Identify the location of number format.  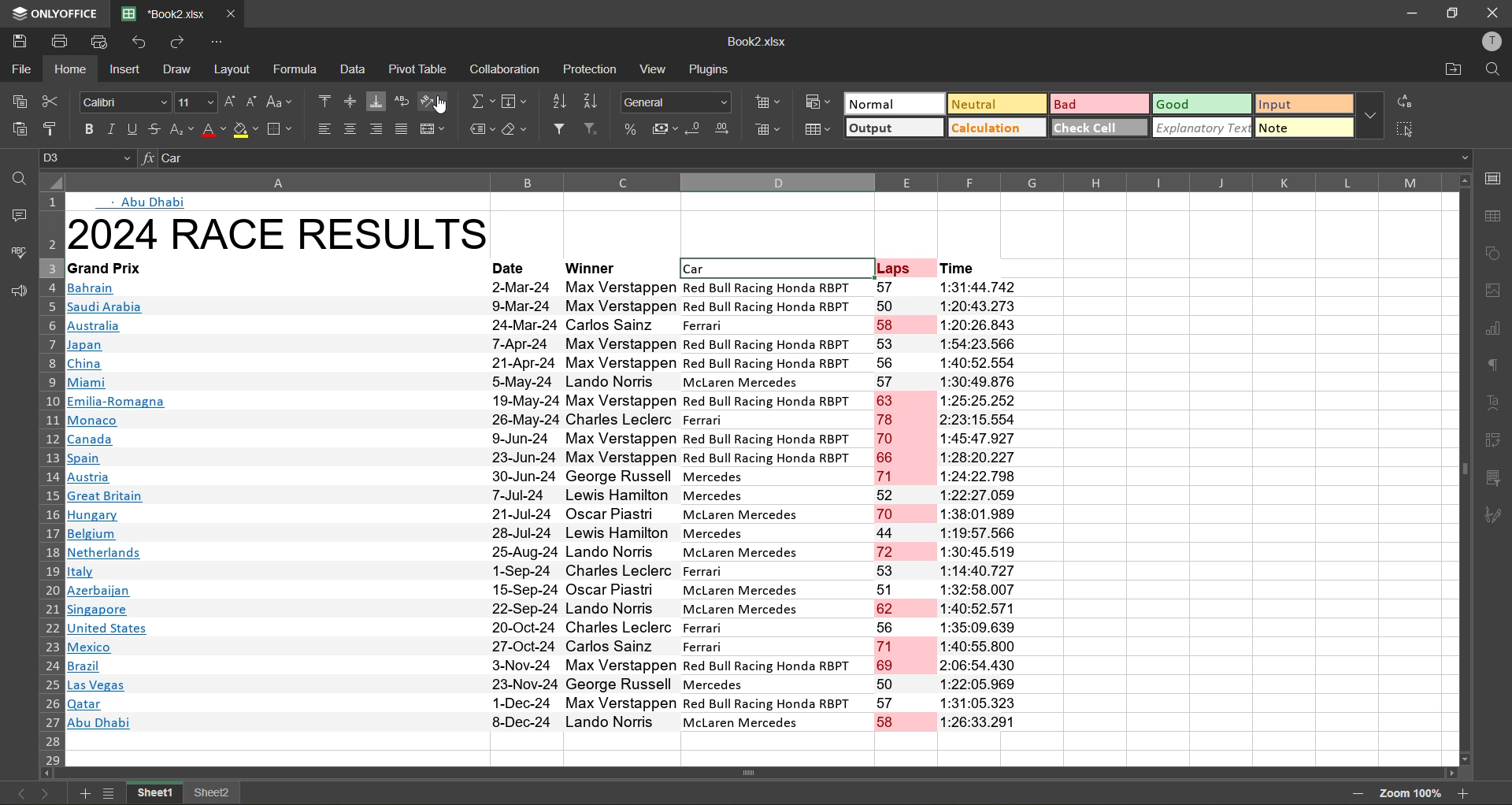
(676, 101).